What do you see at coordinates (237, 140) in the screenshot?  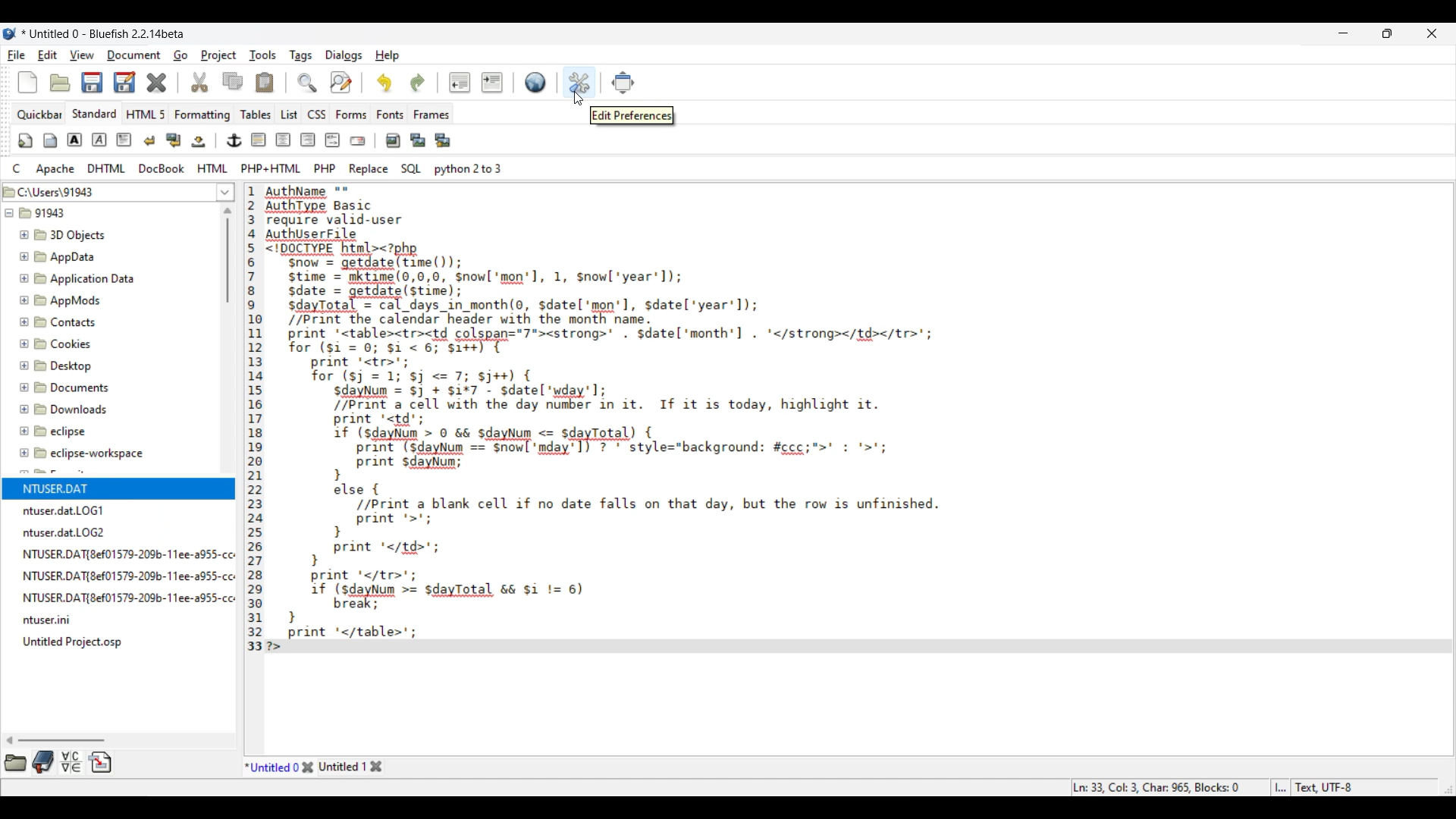 I see `Image and text edit tools` at bounding box center [237, 140].